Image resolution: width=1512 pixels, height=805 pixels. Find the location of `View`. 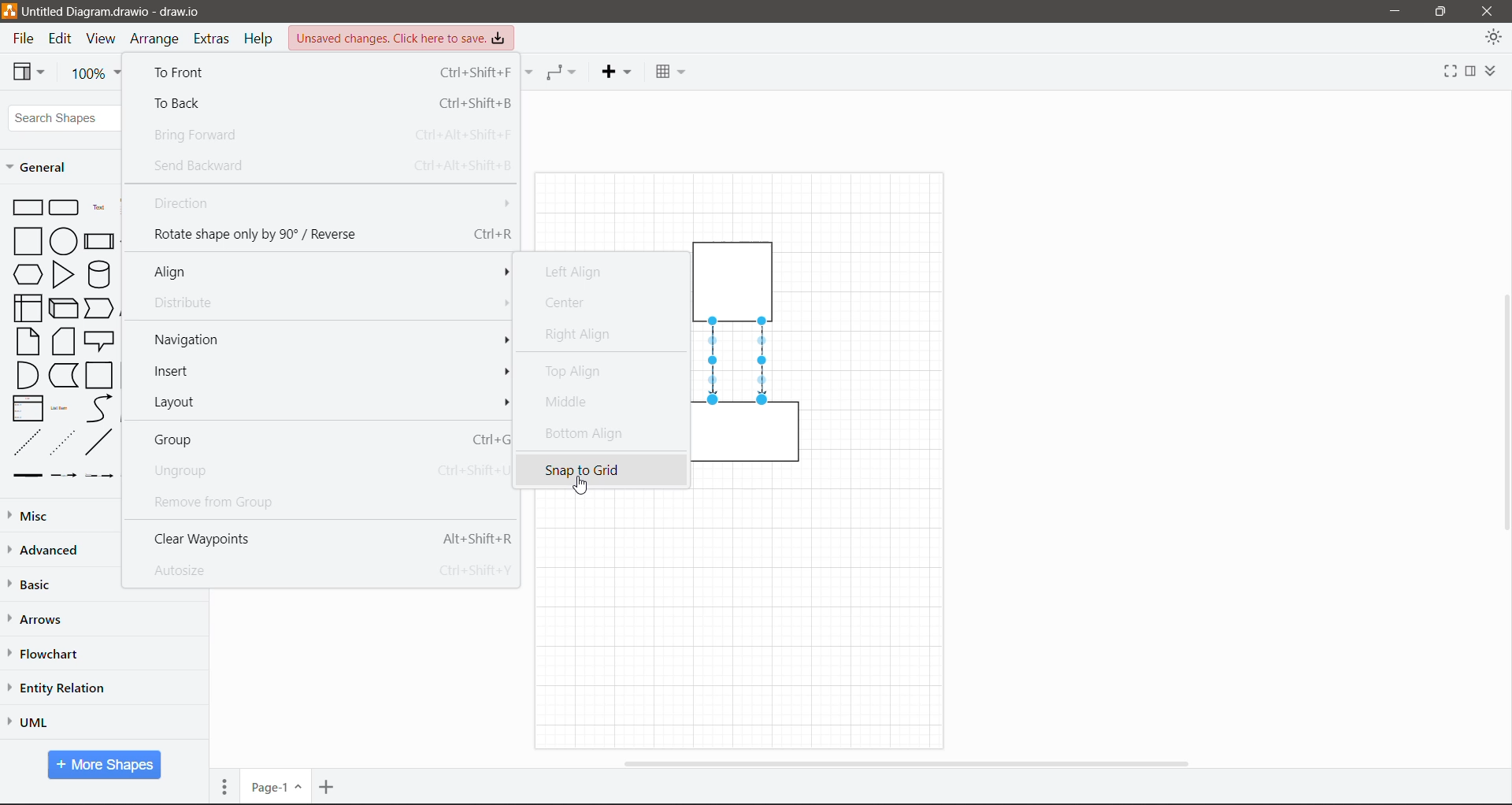

View is located at coordinates (29, 71).